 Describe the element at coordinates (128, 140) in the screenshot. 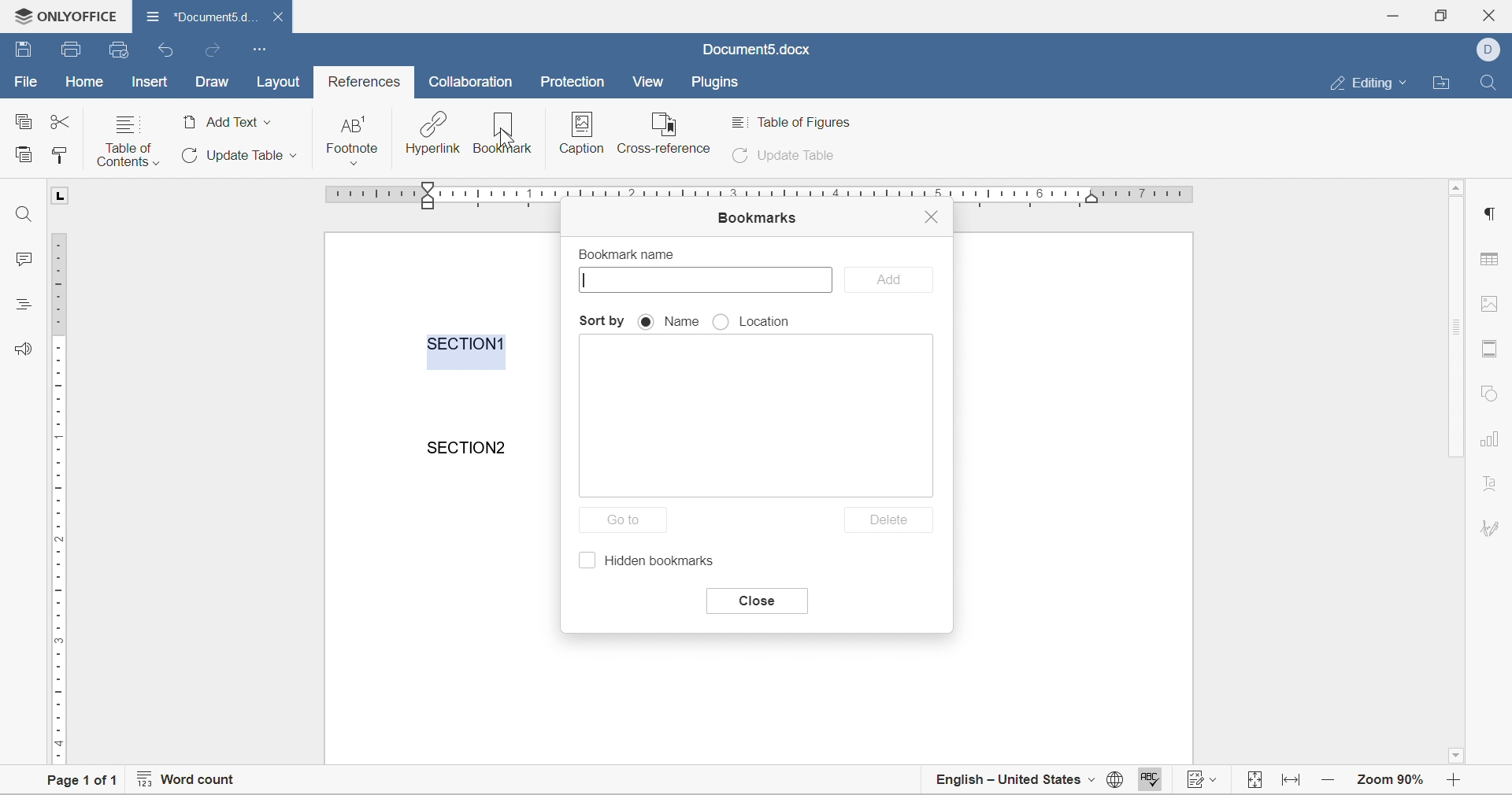

I see `table of contents` at that location.